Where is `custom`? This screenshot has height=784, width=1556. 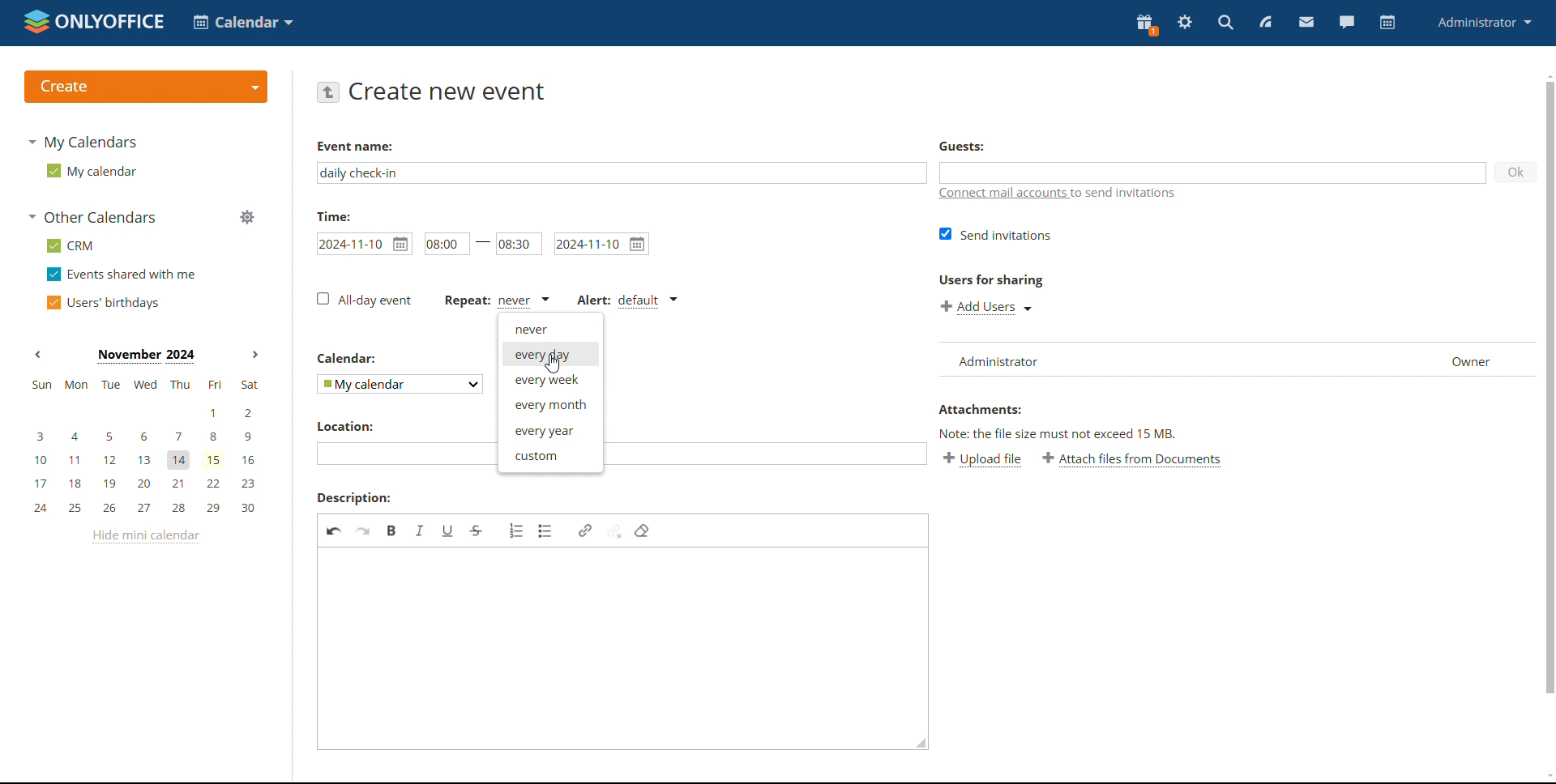 custom is located at coordinates (549, 458).